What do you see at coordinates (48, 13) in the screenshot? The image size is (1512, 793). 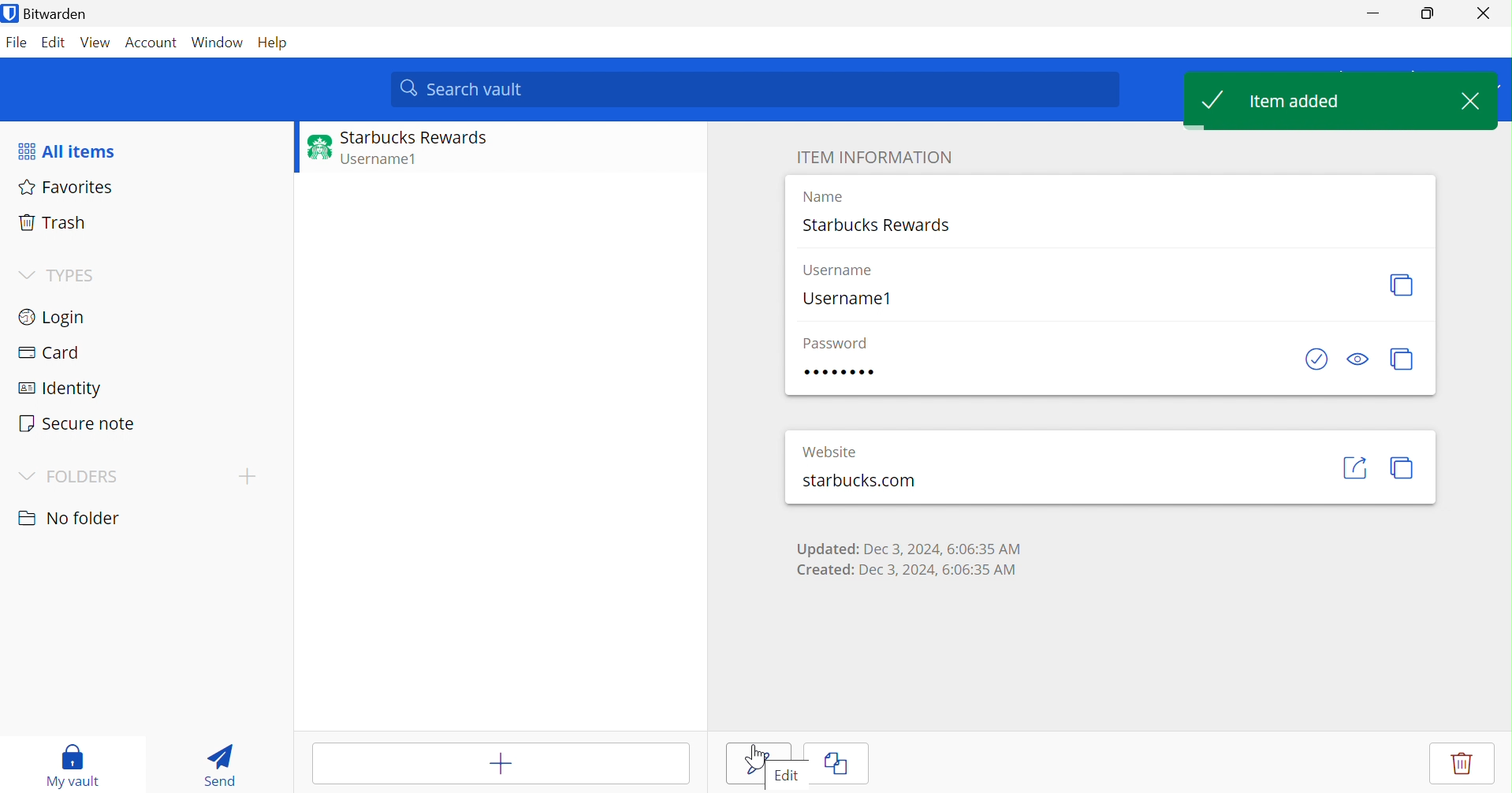 I see `Bitwarden` at bounding box center [48, 13].